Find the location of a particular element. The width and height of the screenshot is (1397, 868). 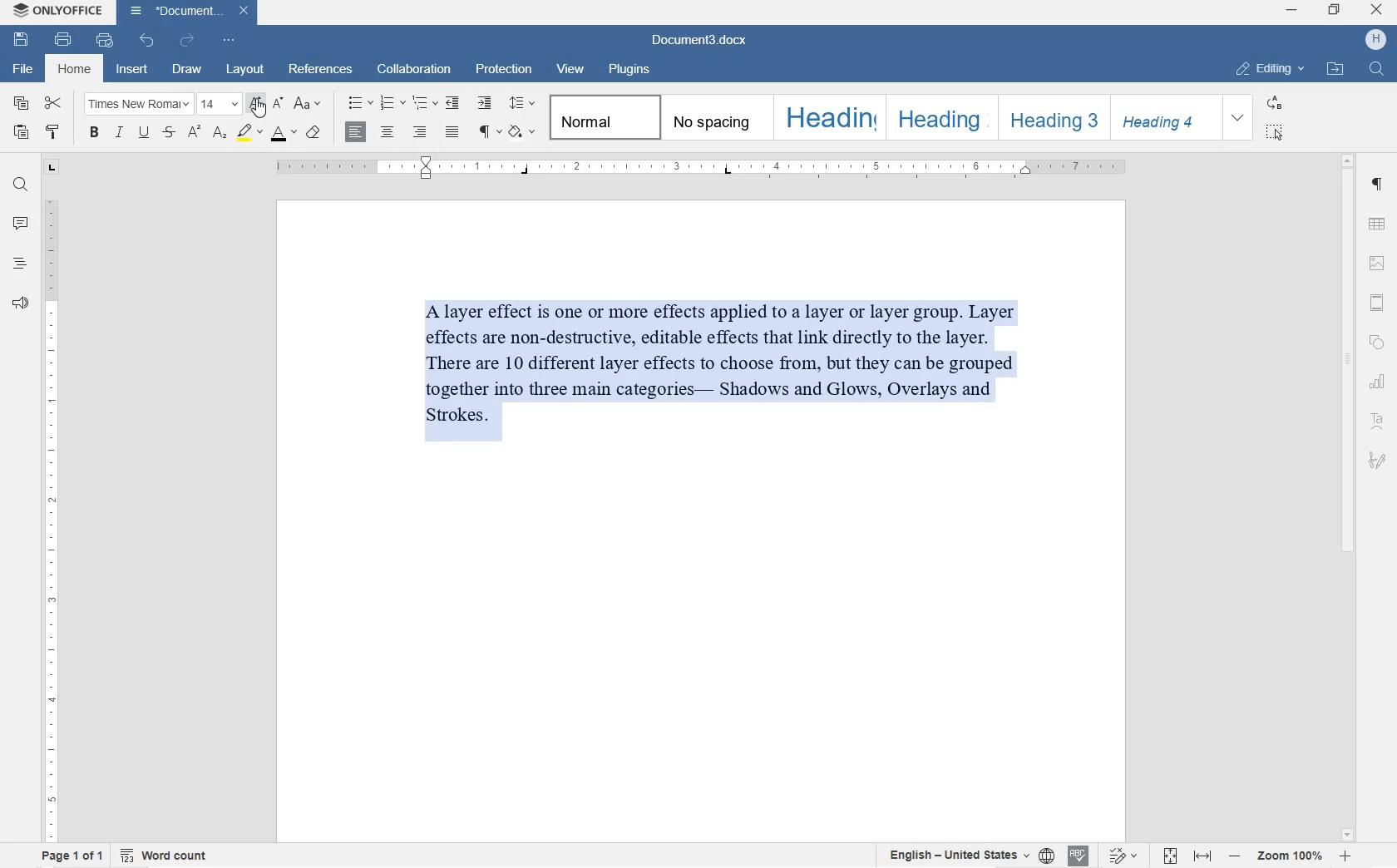

SHADING is located at coordinates (522, 133).